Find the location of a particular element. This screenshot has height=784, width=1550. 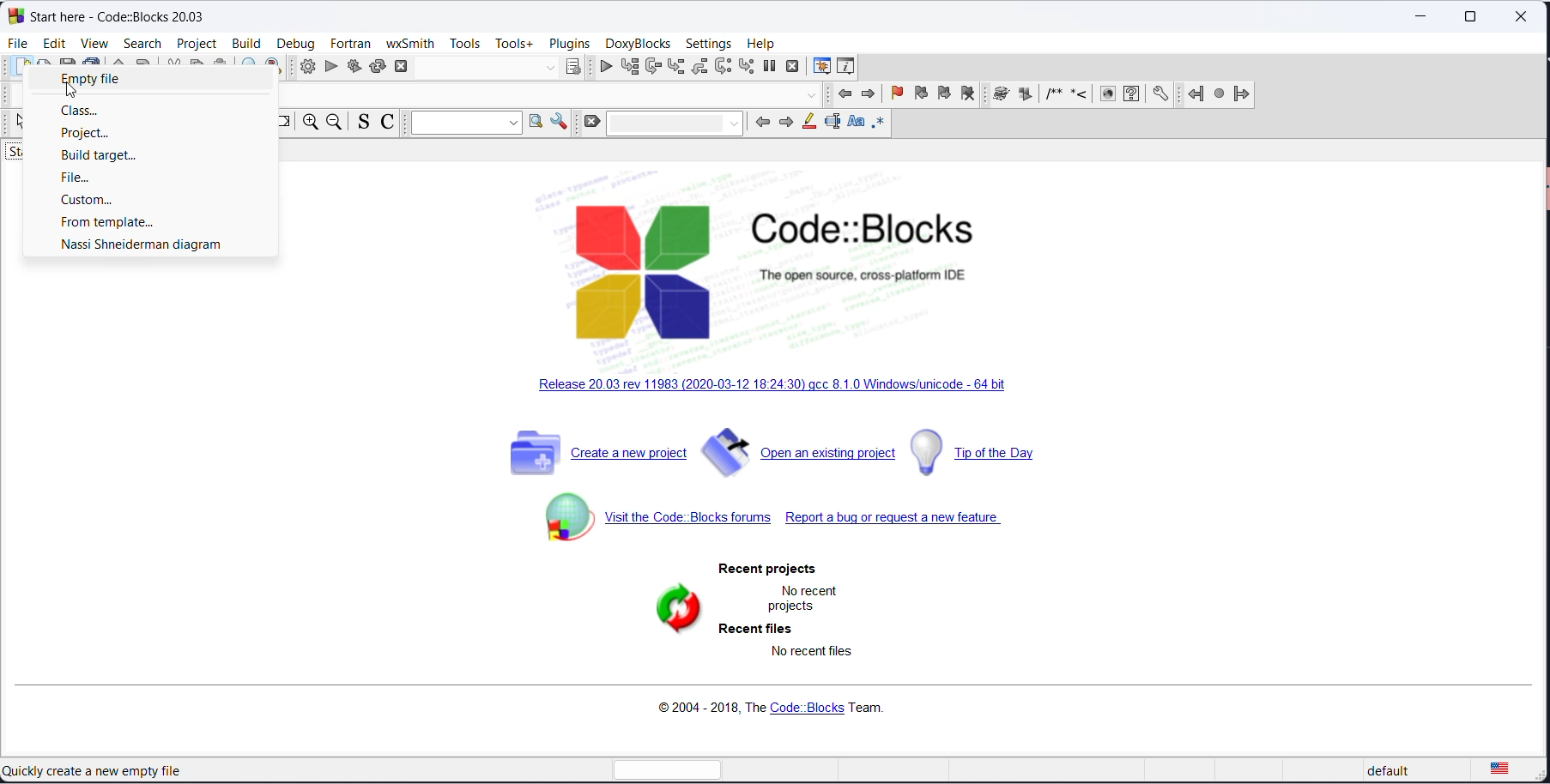

add bookmark is located at coordinates (892, 95).